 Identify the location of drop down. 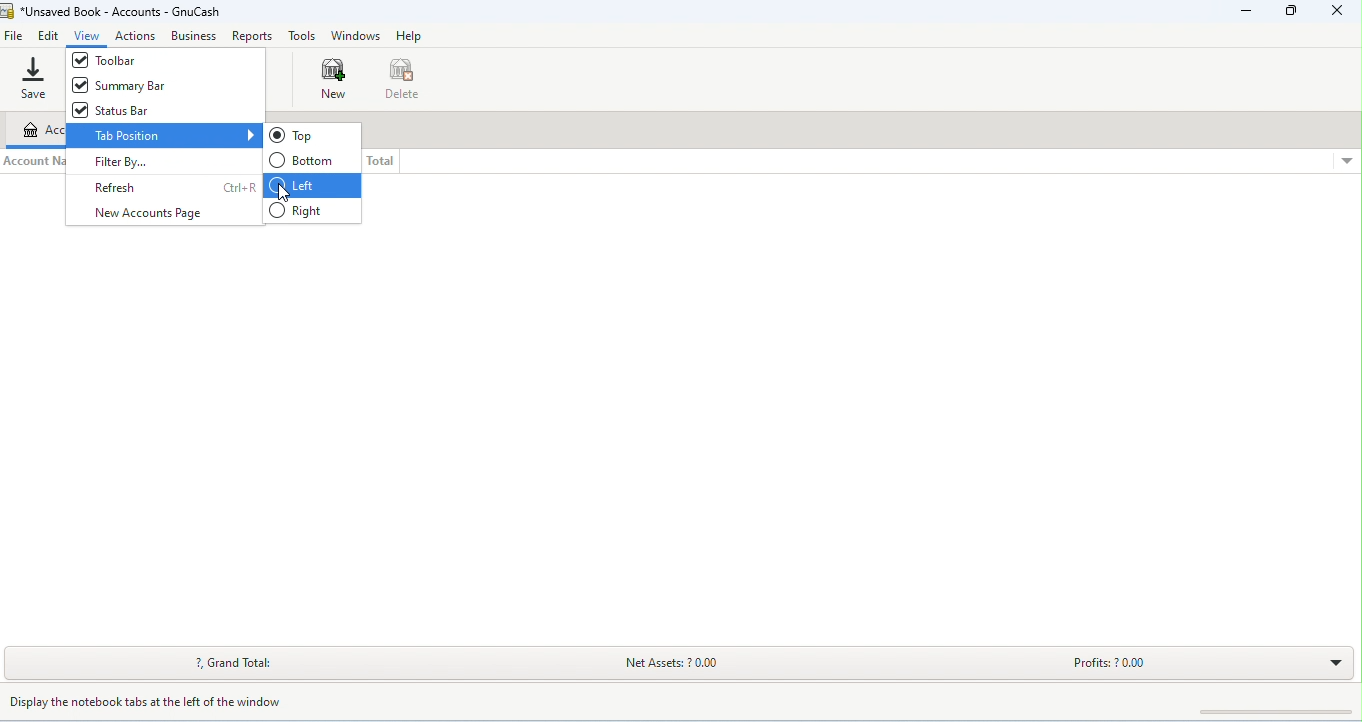
(1334, 661).